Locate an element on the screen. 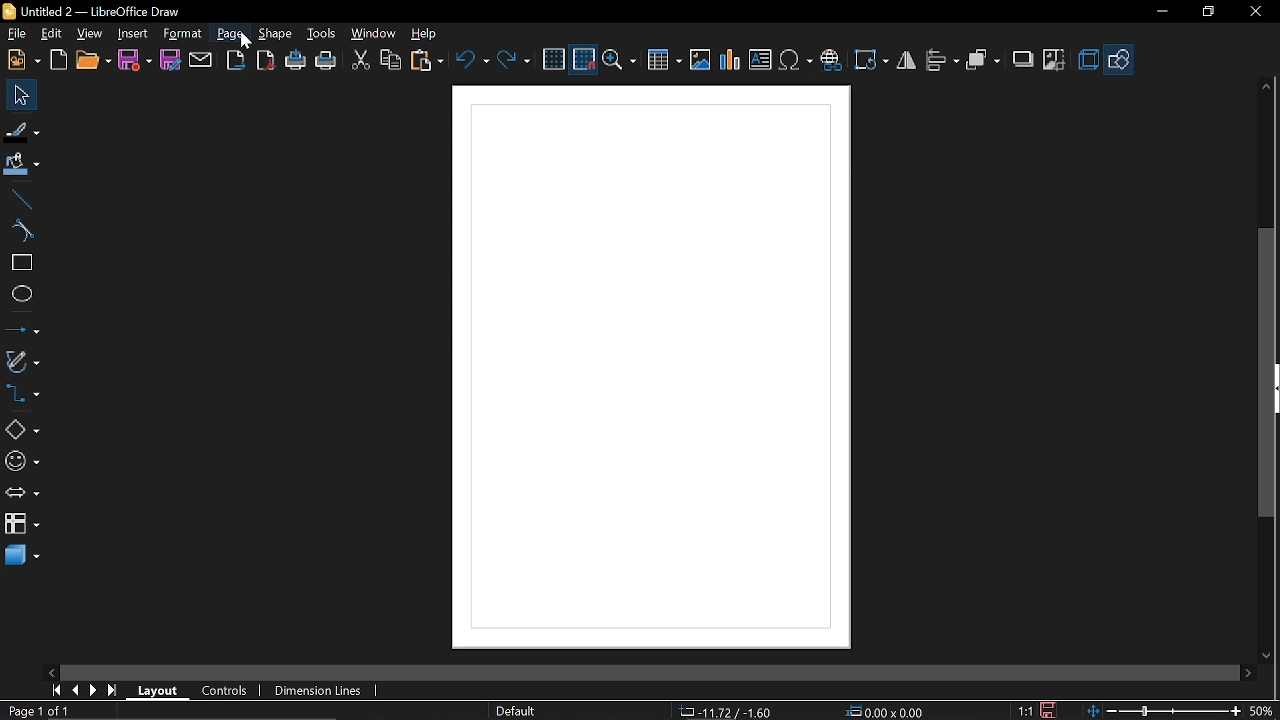  Zoom is located at coordinates (619, 60).